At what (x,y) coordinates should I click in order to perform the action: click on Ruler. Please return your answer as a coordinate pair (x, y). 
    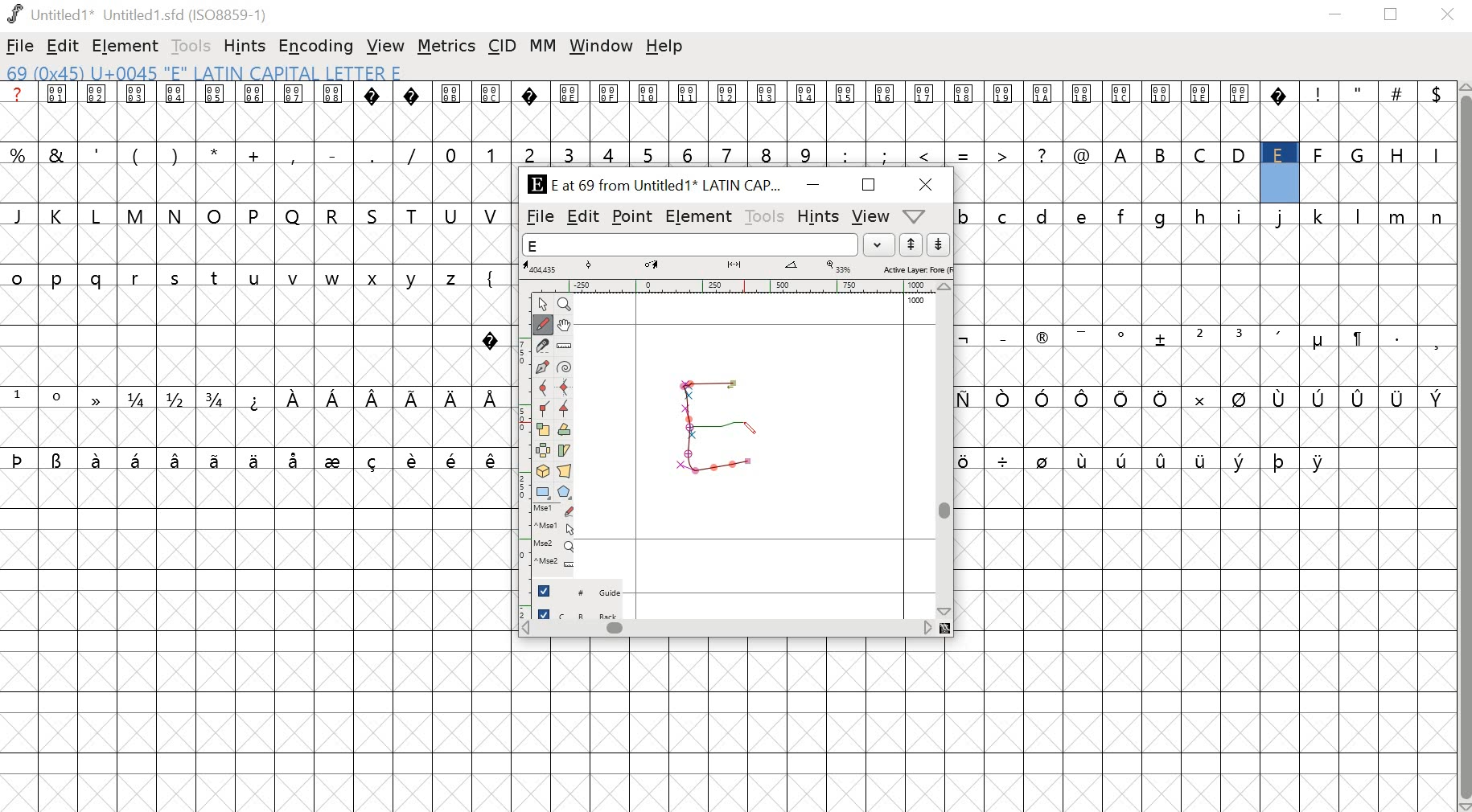
    Looking at the image, I should click on (565, 345).